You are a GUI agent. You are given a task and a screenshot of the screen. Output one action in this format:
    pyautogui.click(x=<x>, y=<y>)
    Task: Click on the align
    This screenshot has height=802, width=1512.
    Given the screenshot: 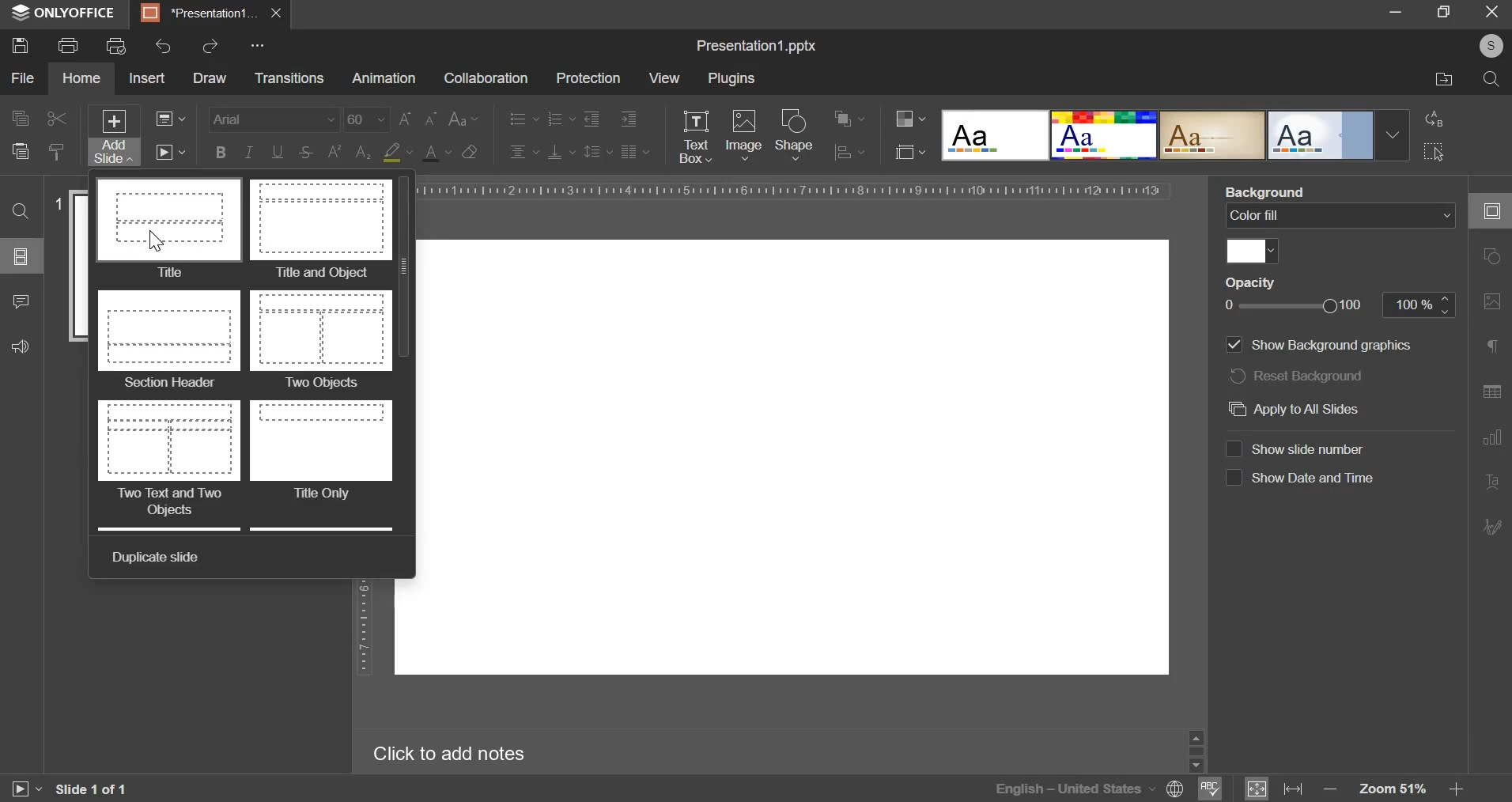 What is the action you would take?
    pyautogui.click(x=850, y=153)
    